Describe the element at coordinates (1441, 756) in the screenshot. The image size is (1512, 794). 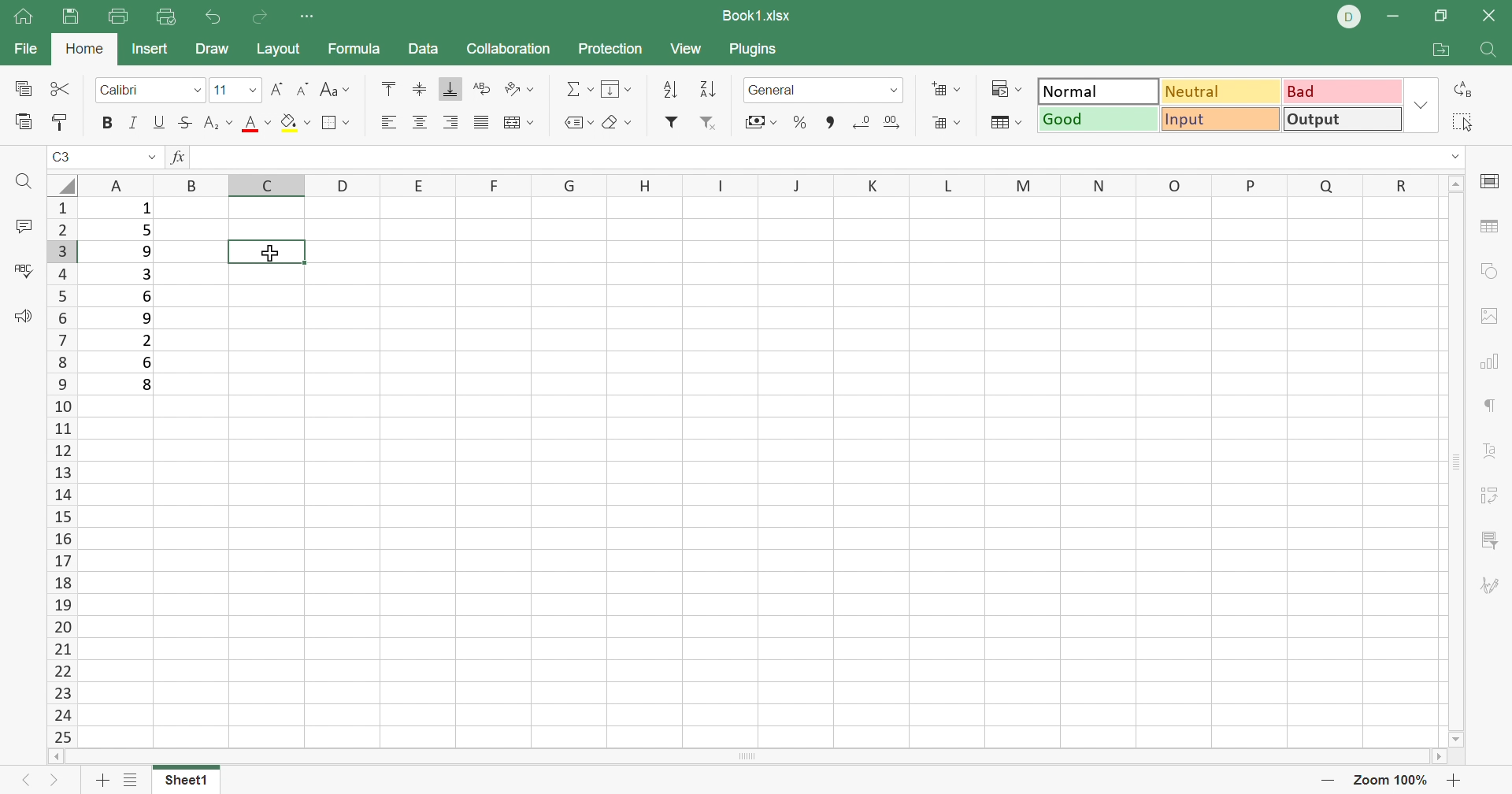
I see `Scroll right` at that location.